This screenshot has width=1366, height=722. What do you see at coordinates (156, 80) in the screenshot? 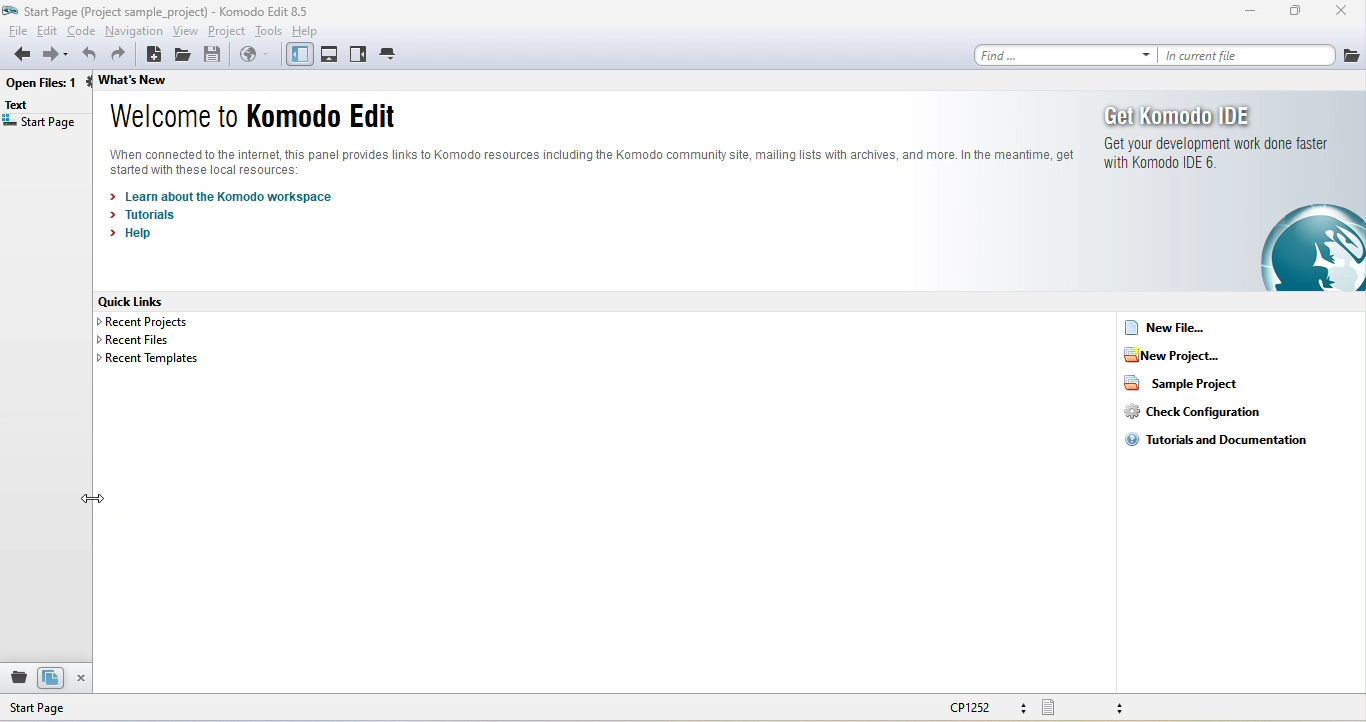
I see `what's new` at bounding box center [156, 80].